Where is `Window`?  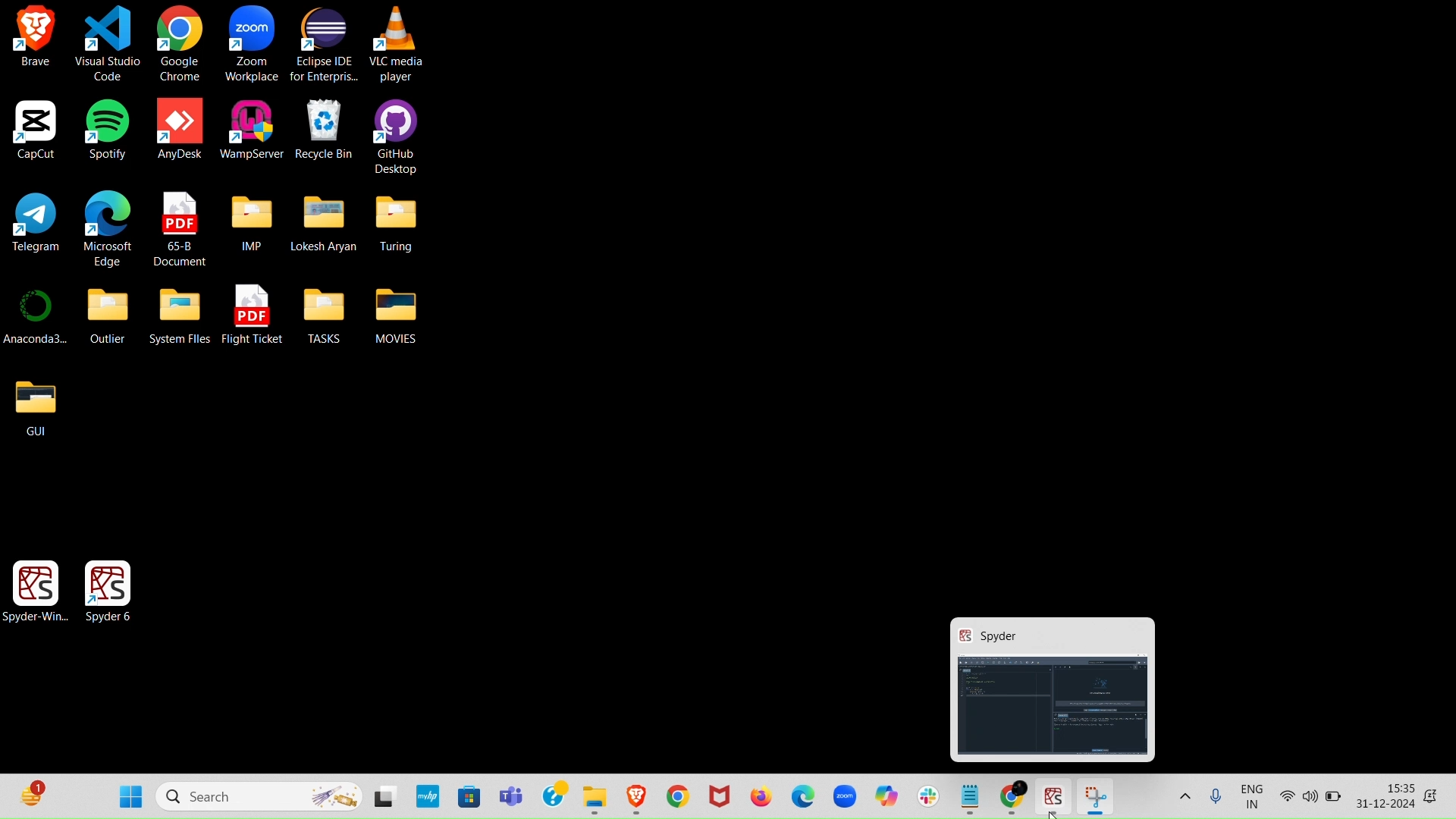 Window is located at coordinates (1057, 687).